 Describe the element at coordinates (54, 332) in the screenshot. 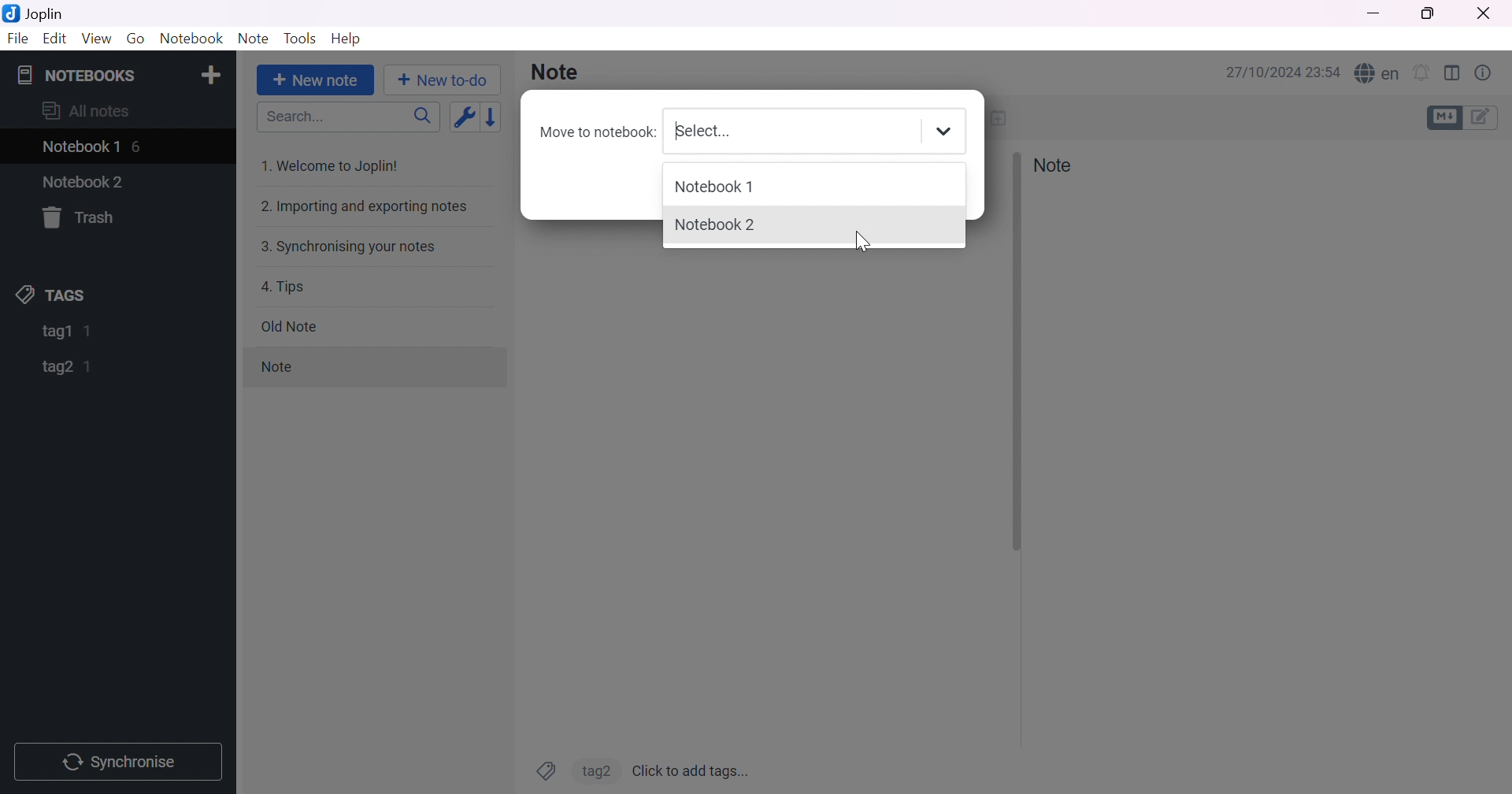

I see `tag1` at that location.